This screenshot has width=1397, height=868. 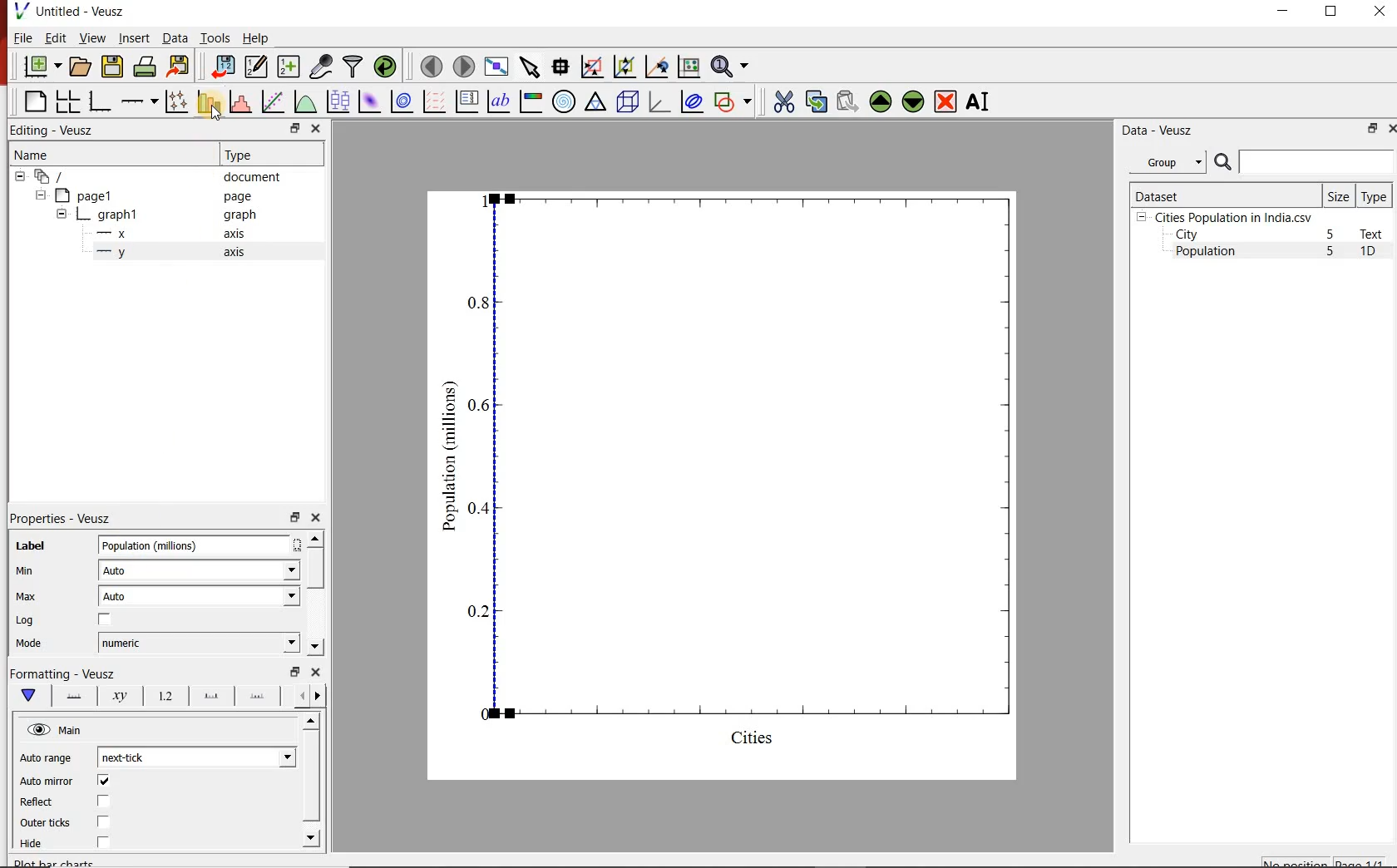 I want to click on restore, so click(x=1373, y=128).